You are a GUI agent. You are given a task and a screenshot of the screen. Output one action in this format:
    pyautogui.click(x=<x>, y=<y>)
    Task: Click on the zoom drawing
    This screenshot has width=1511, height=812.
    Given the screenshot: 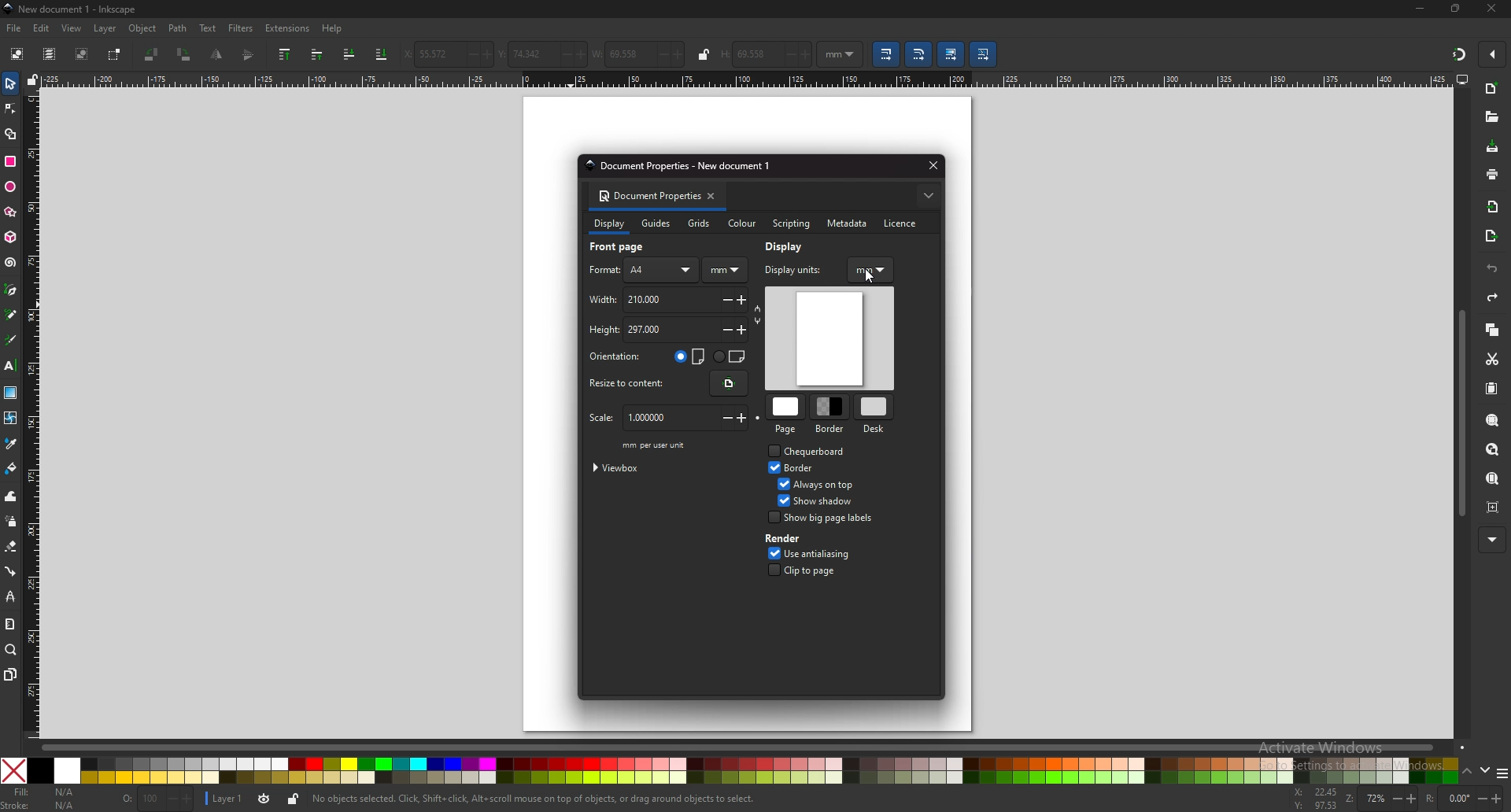 What is the action you would take?
    pyautogui.click(x=1493, y=449)
    